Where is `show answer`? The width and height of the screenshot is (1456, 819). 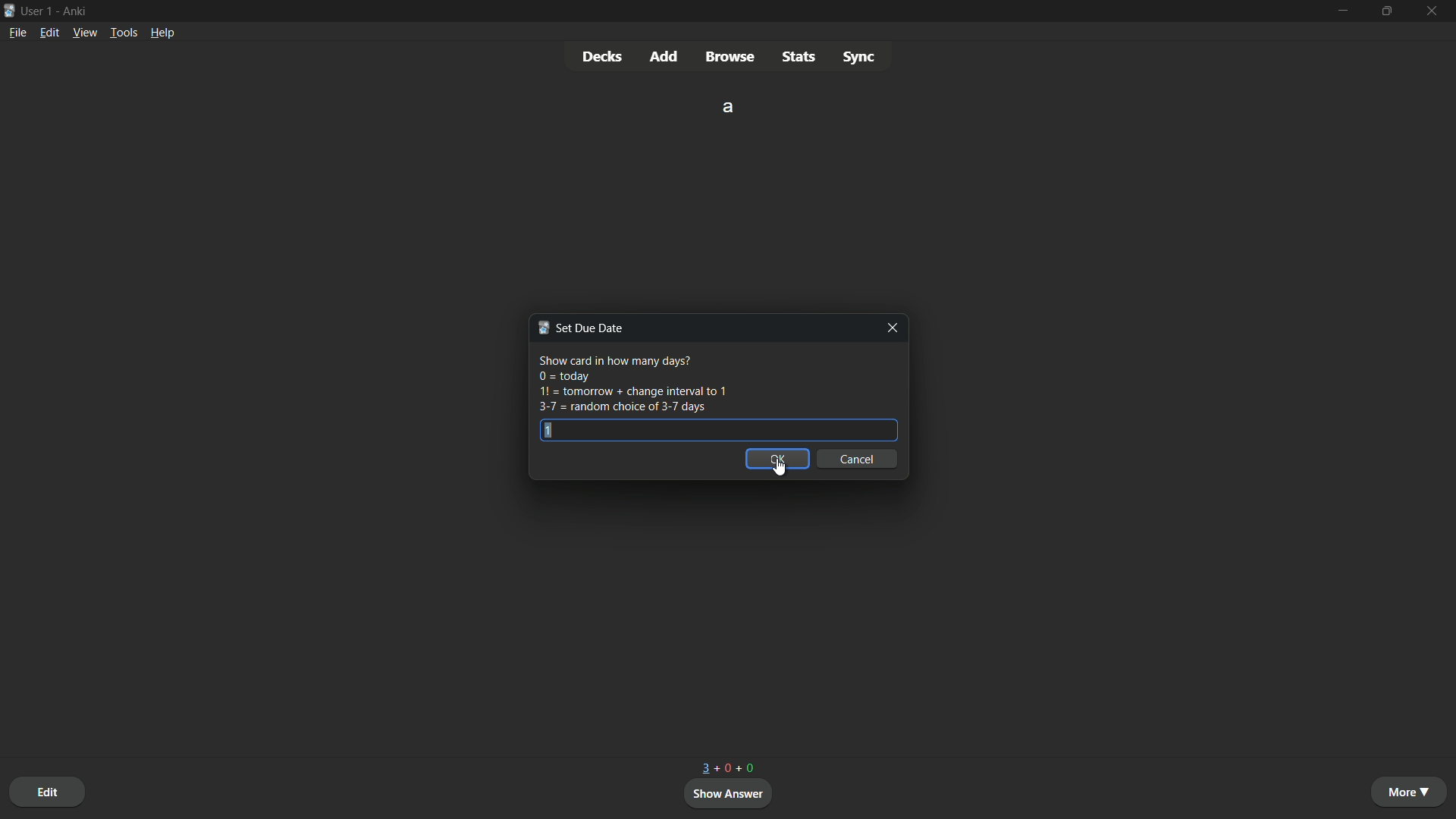 show answer is located at coordinates (730, 794).